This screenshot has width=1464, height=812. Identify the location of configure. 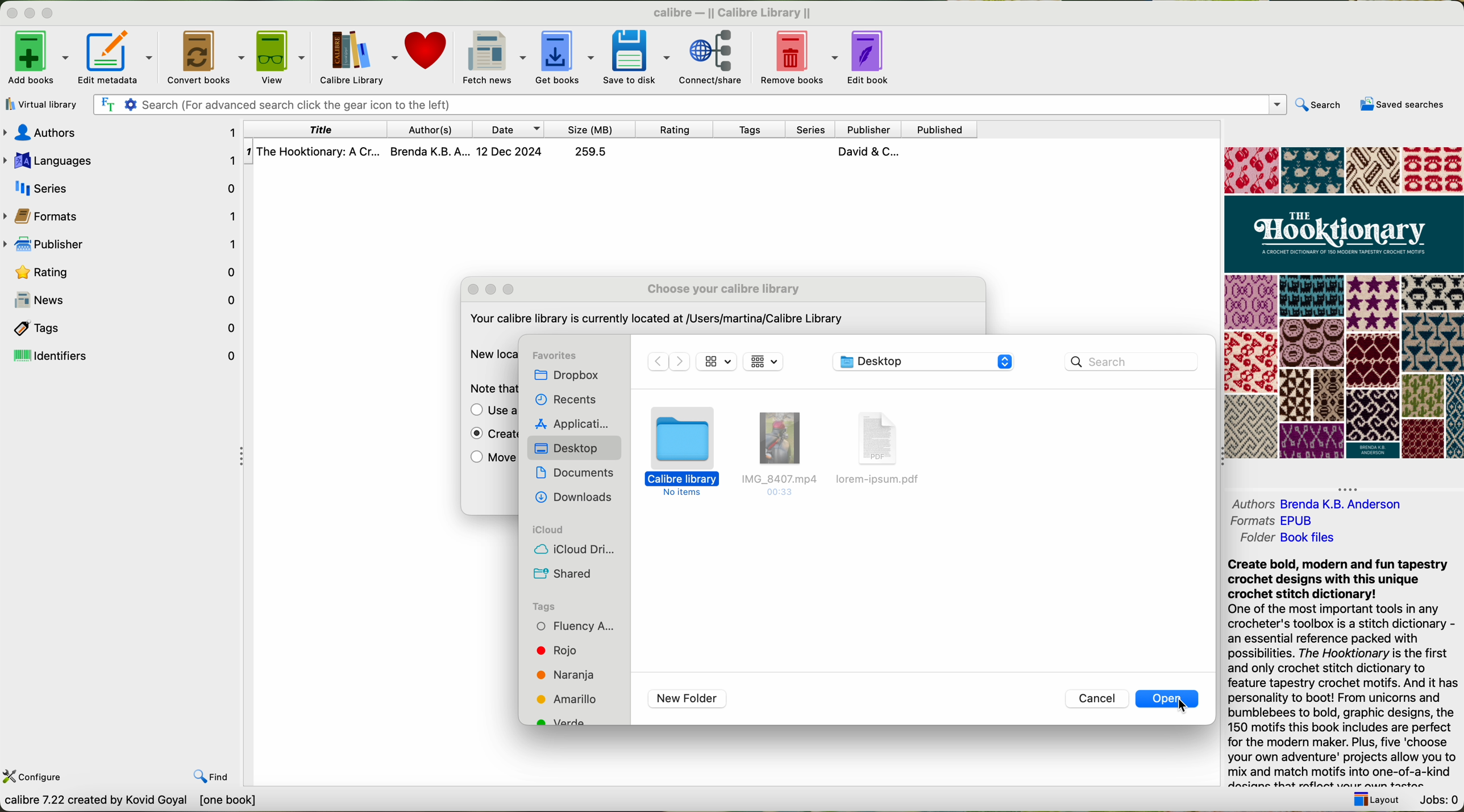
(36, 776).